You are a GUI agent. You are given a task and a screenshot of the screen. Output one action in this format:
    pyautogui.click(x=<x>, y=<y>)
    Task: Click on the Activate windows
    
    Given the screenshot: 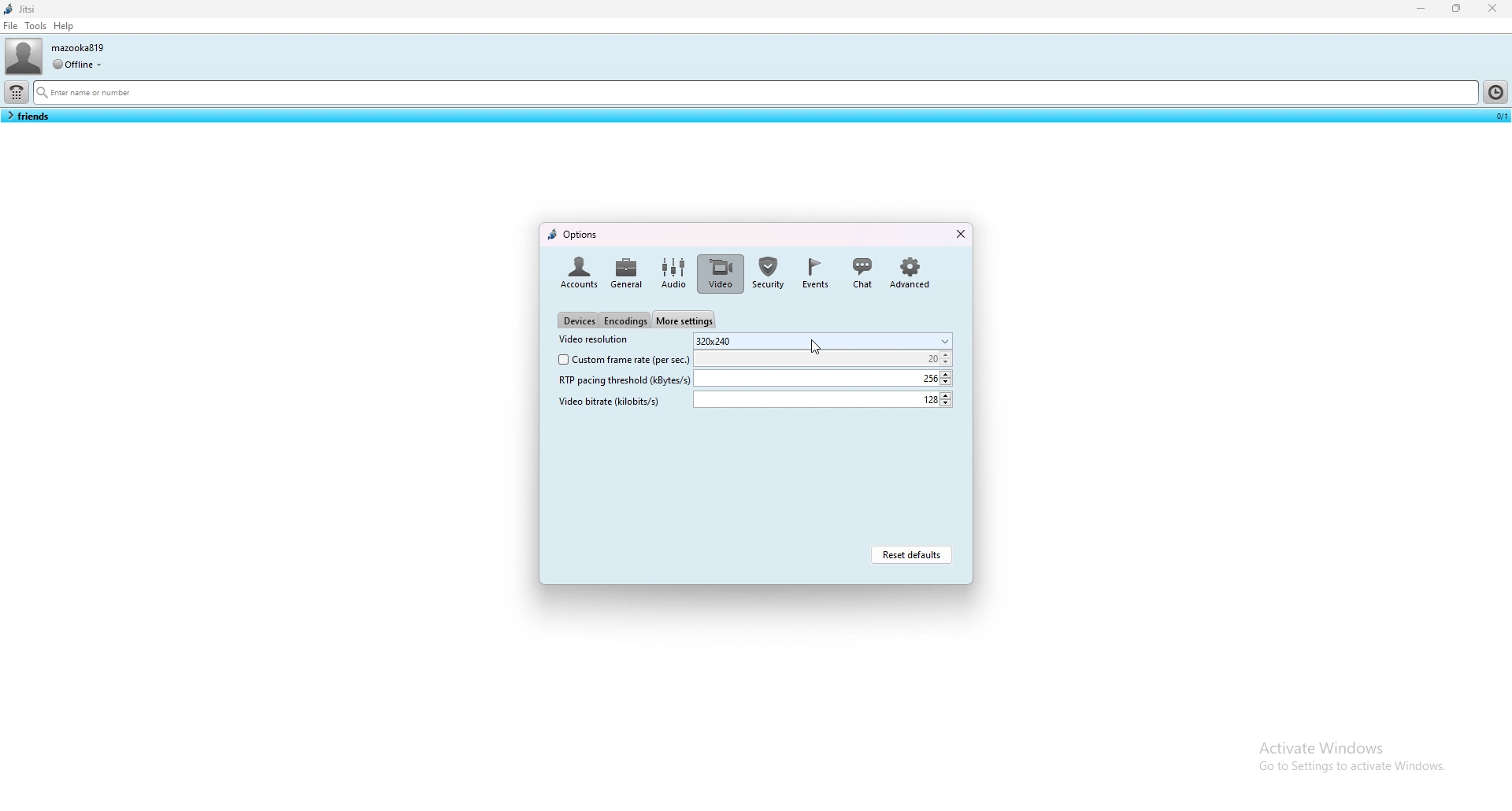 What is the action you would take?
    pyautogui.click(x=1351, y=745)
    